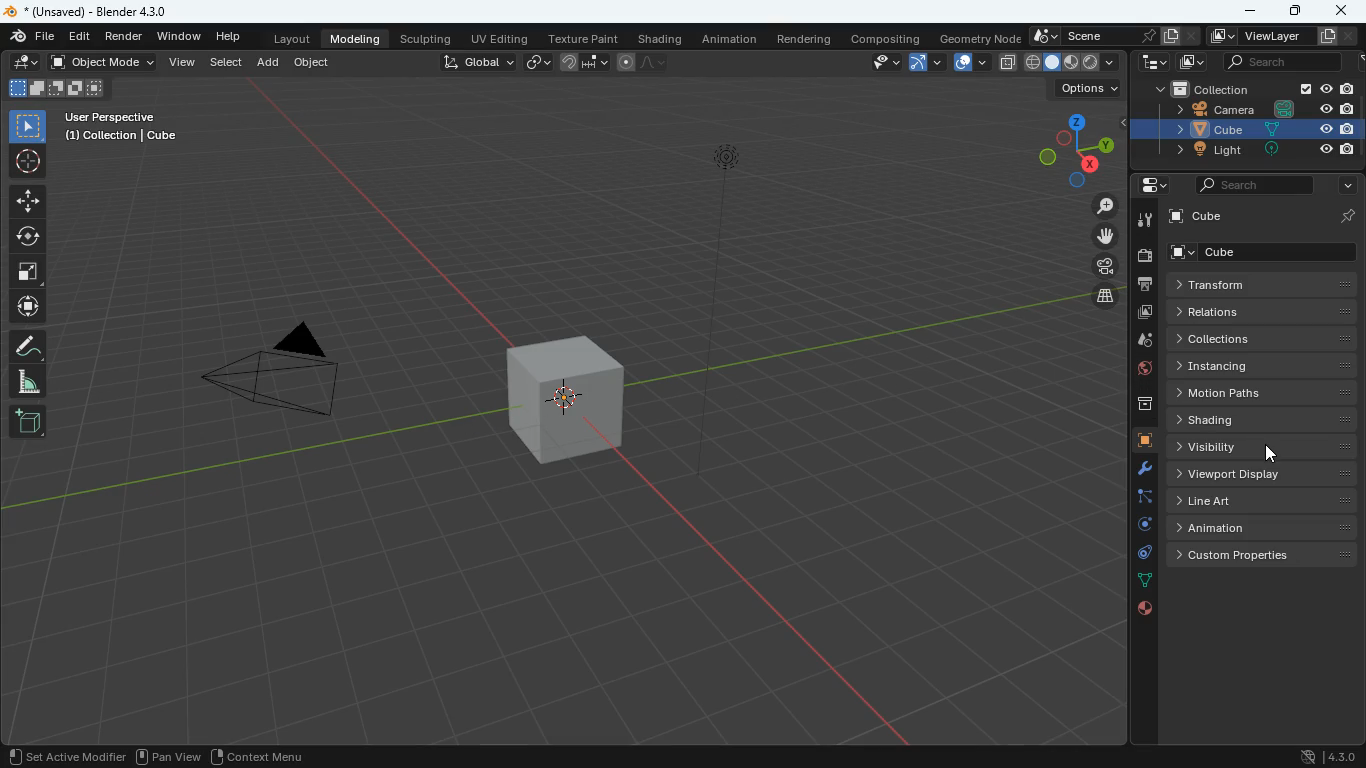 The height and width of the screenshot is (768, 1366). Describe the element at coordinates (1280, 63) in the screenshot. I see `search` at that location.